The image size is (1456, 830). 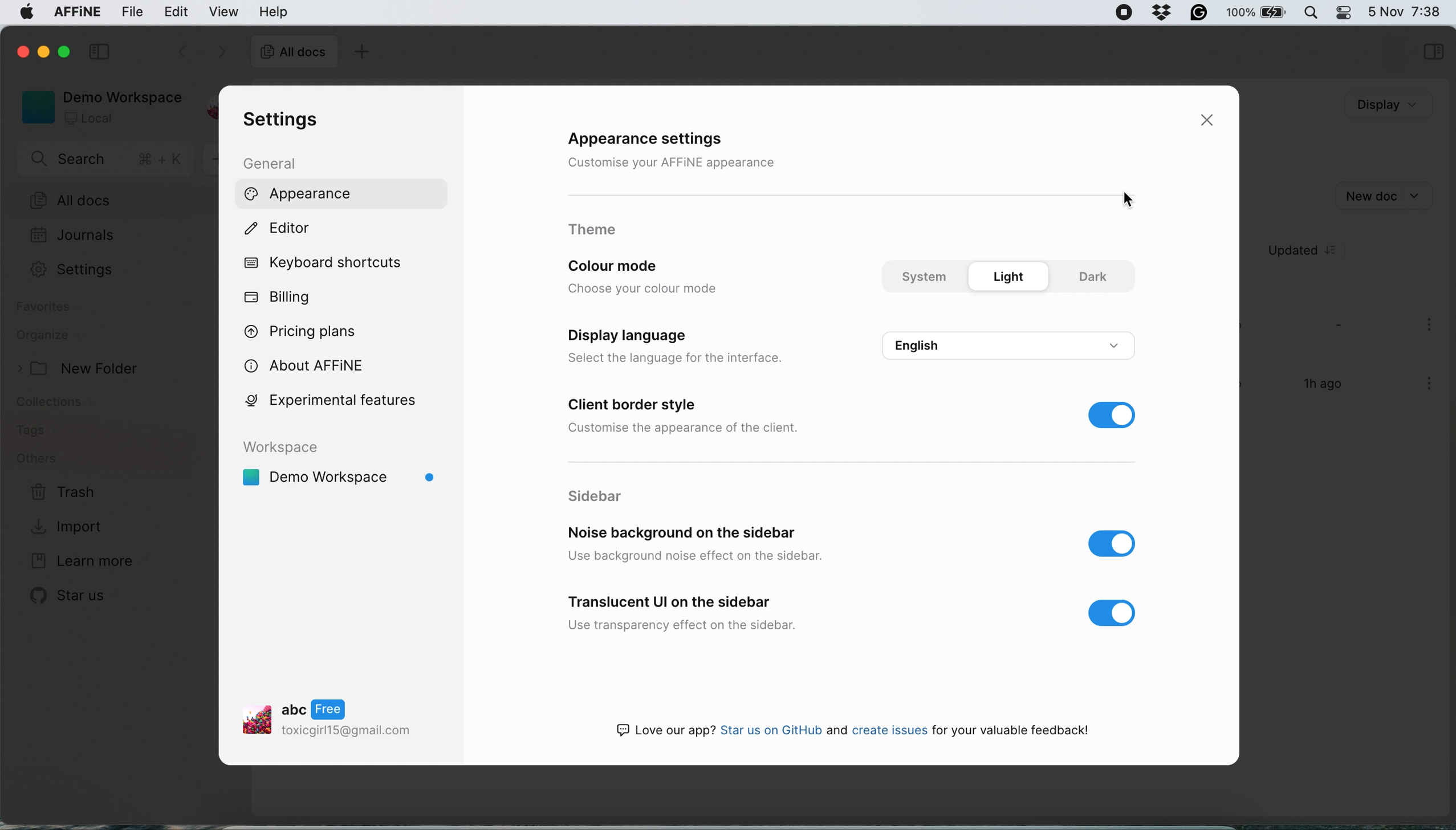 What do you see at coordinates (616, 498) in the screenshot?
I see `sidebar` at bounding box center [616, 498].